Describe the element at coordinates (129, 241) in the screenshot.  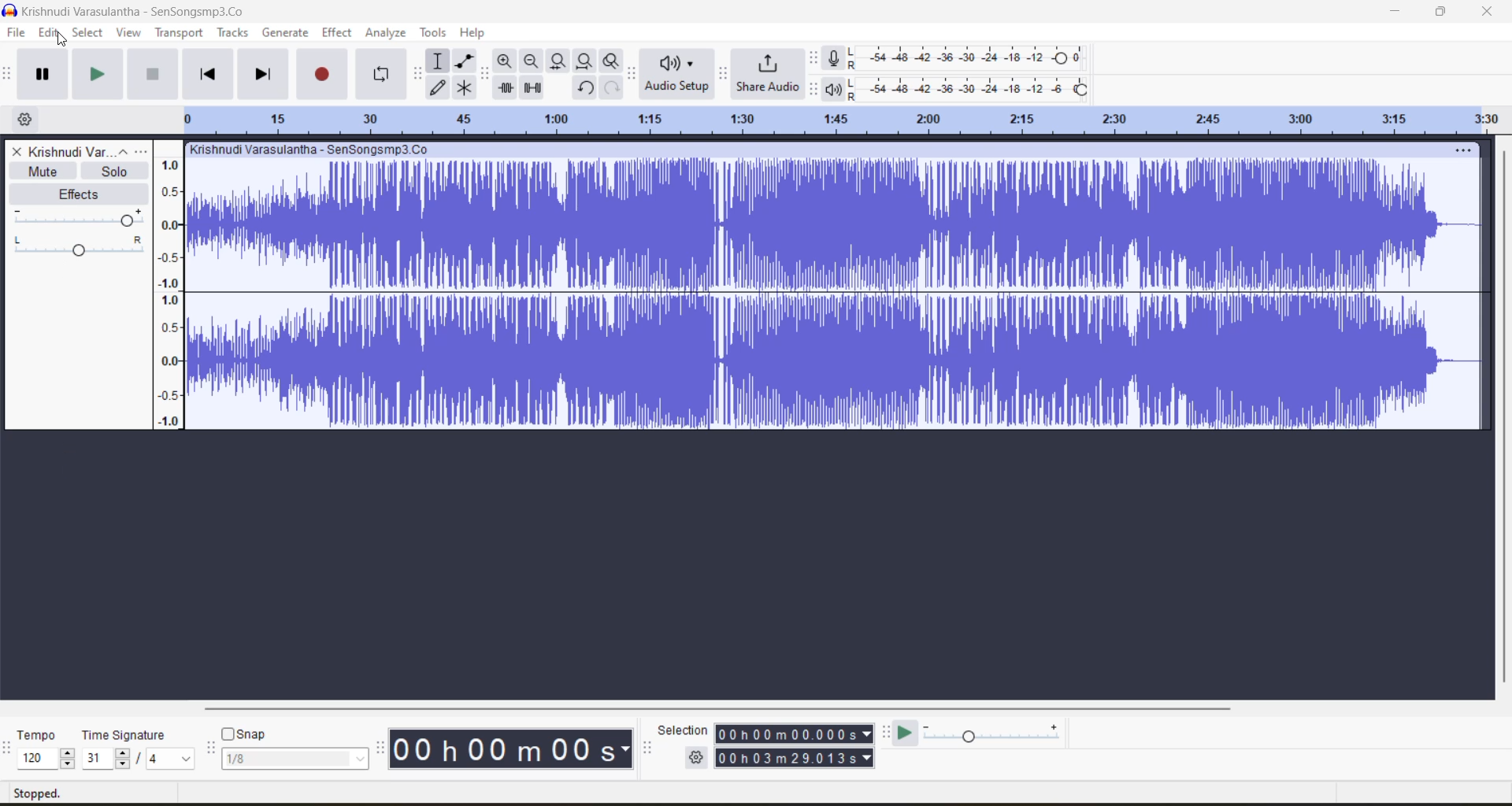
I see `Pan guide` at that location.